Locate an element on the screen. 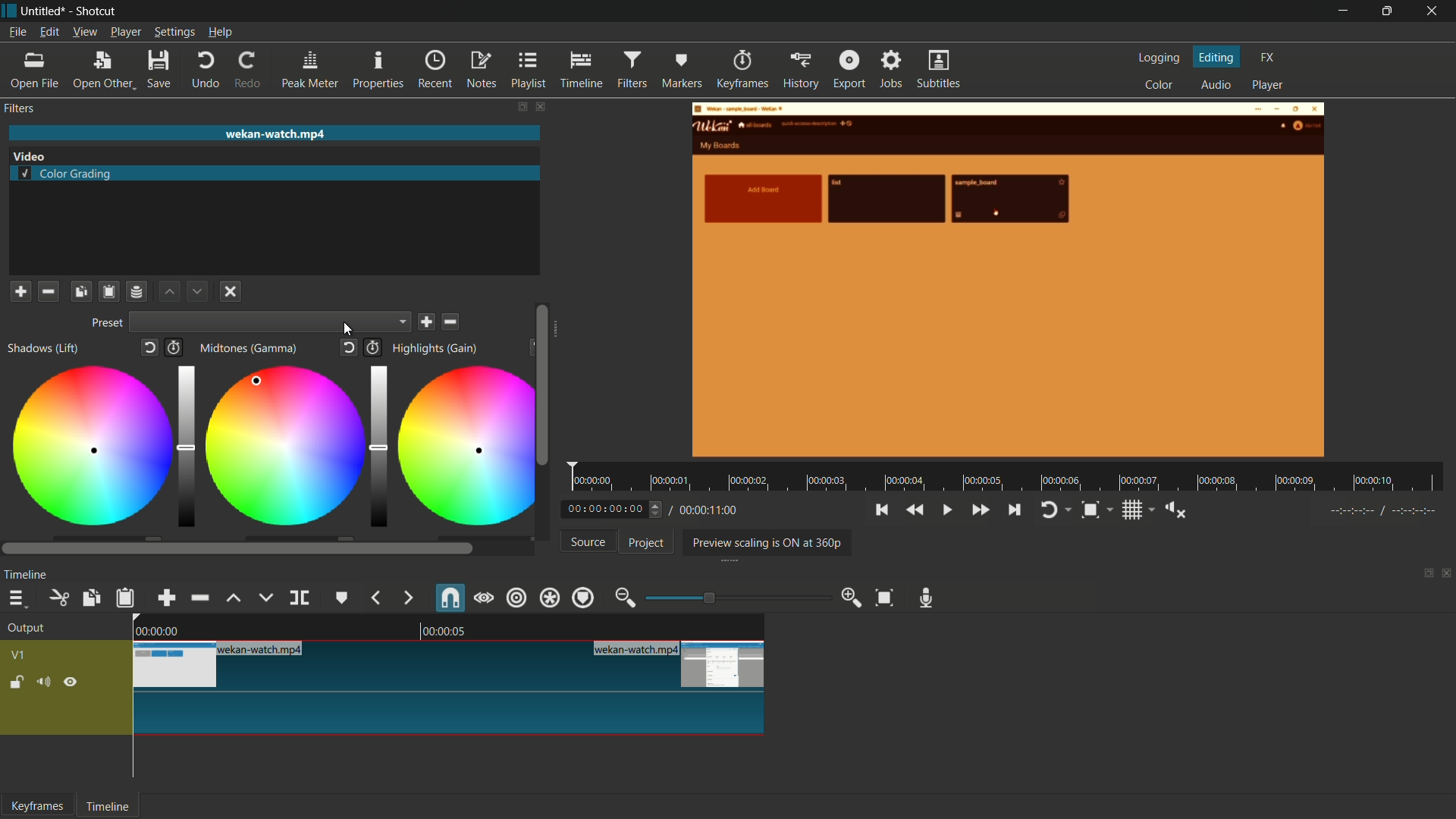 The width and height of the screenshot is (1456, 819). add keyframes to this parameter is located at coordinates (373, 347).